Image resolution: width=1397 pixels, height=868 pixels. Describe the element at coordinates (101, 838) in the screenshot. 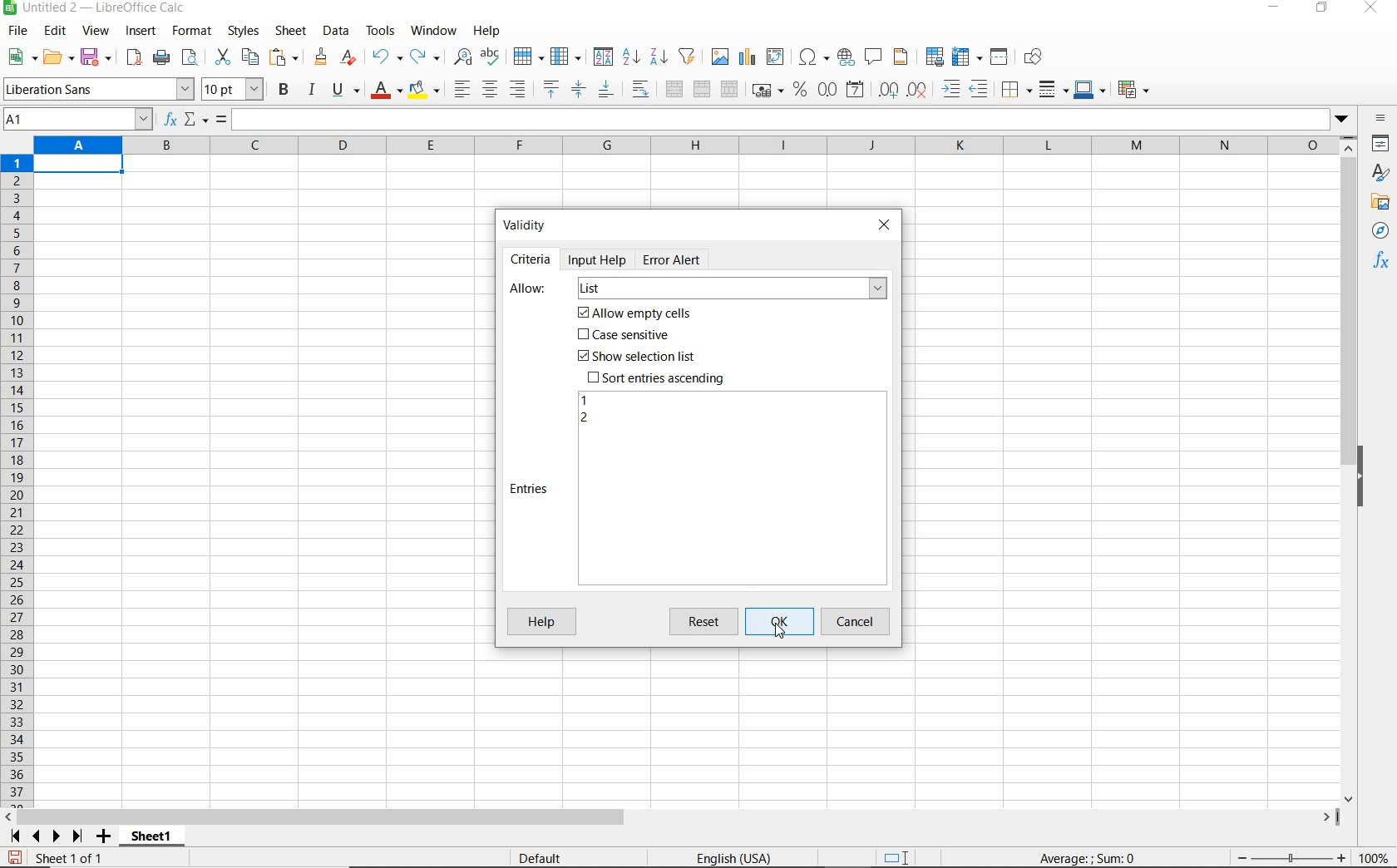

I see `add sheet` at that location.